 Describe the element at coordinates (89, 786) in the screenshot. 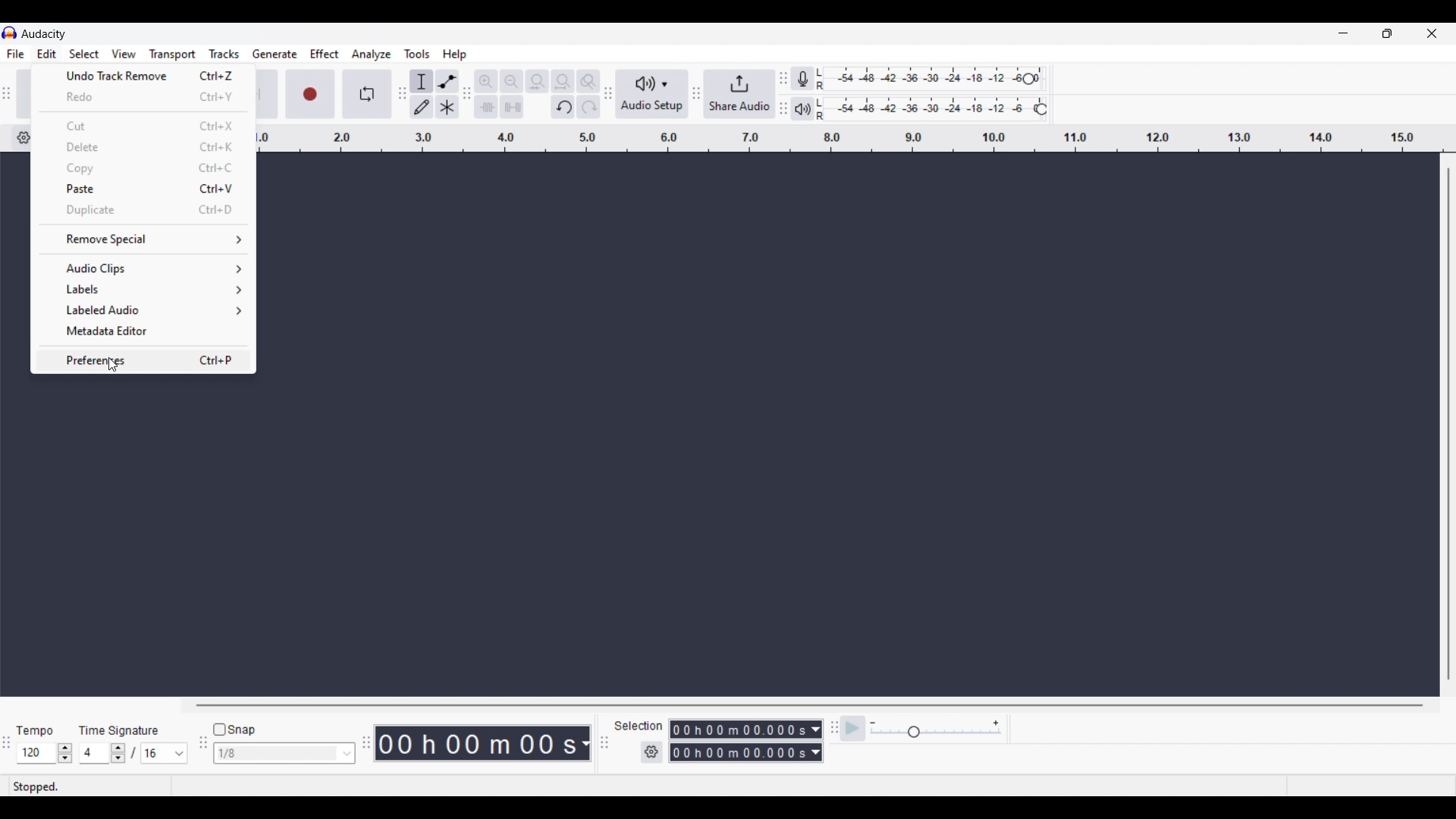

I see `Status of recording` at that location.